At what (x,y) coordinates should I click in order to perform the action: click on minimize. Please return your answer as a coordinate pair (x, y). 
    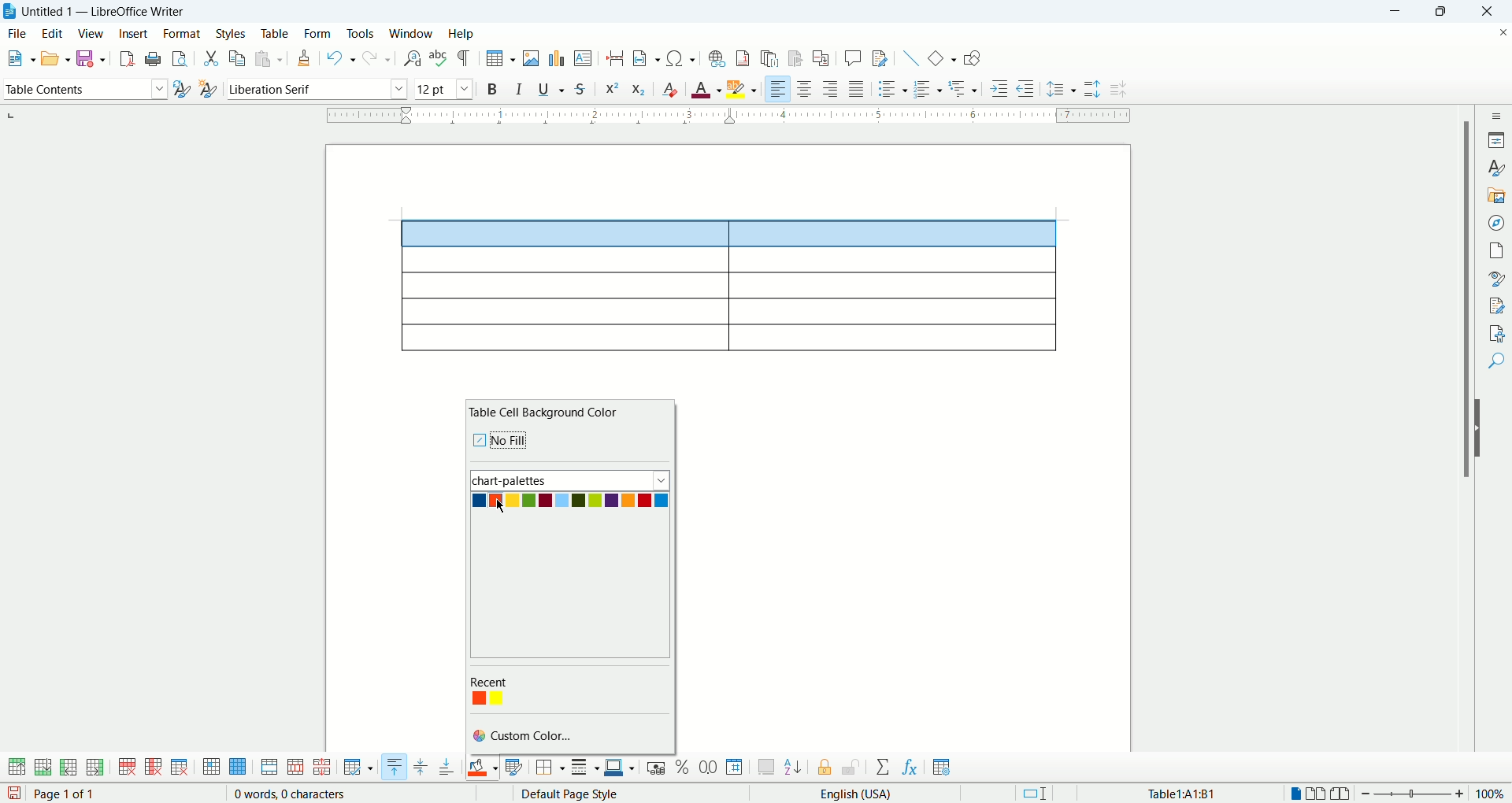
    Looking at the image, I should click on (1399, 12).